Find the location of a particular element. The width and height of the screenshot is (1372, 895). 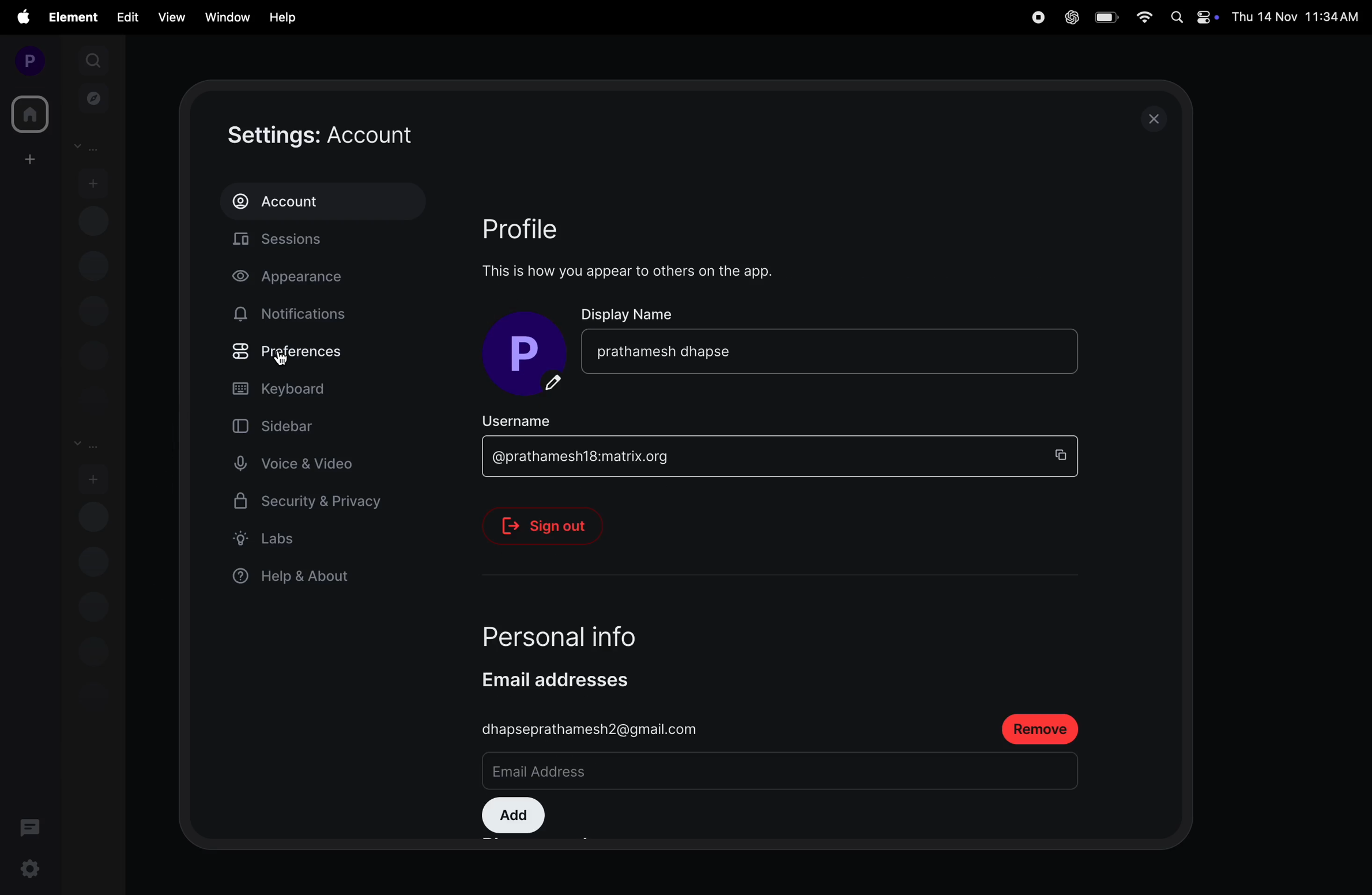

Date and time is located at coordinates (1297, 17).